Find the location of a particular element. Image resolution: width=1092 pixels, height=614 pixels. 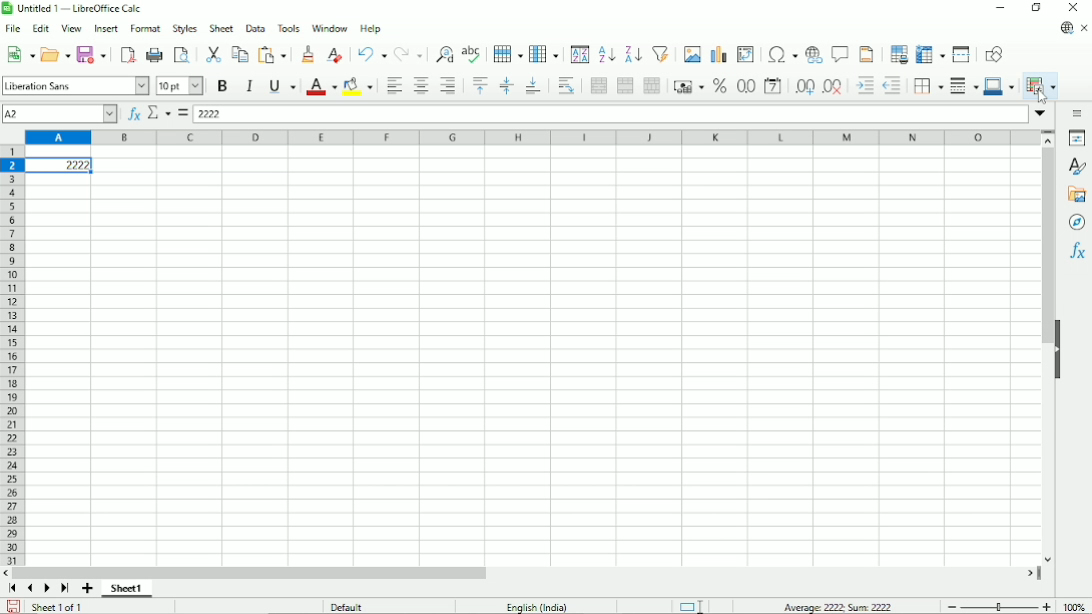

Merge and center is located at coordinates (599, 86).